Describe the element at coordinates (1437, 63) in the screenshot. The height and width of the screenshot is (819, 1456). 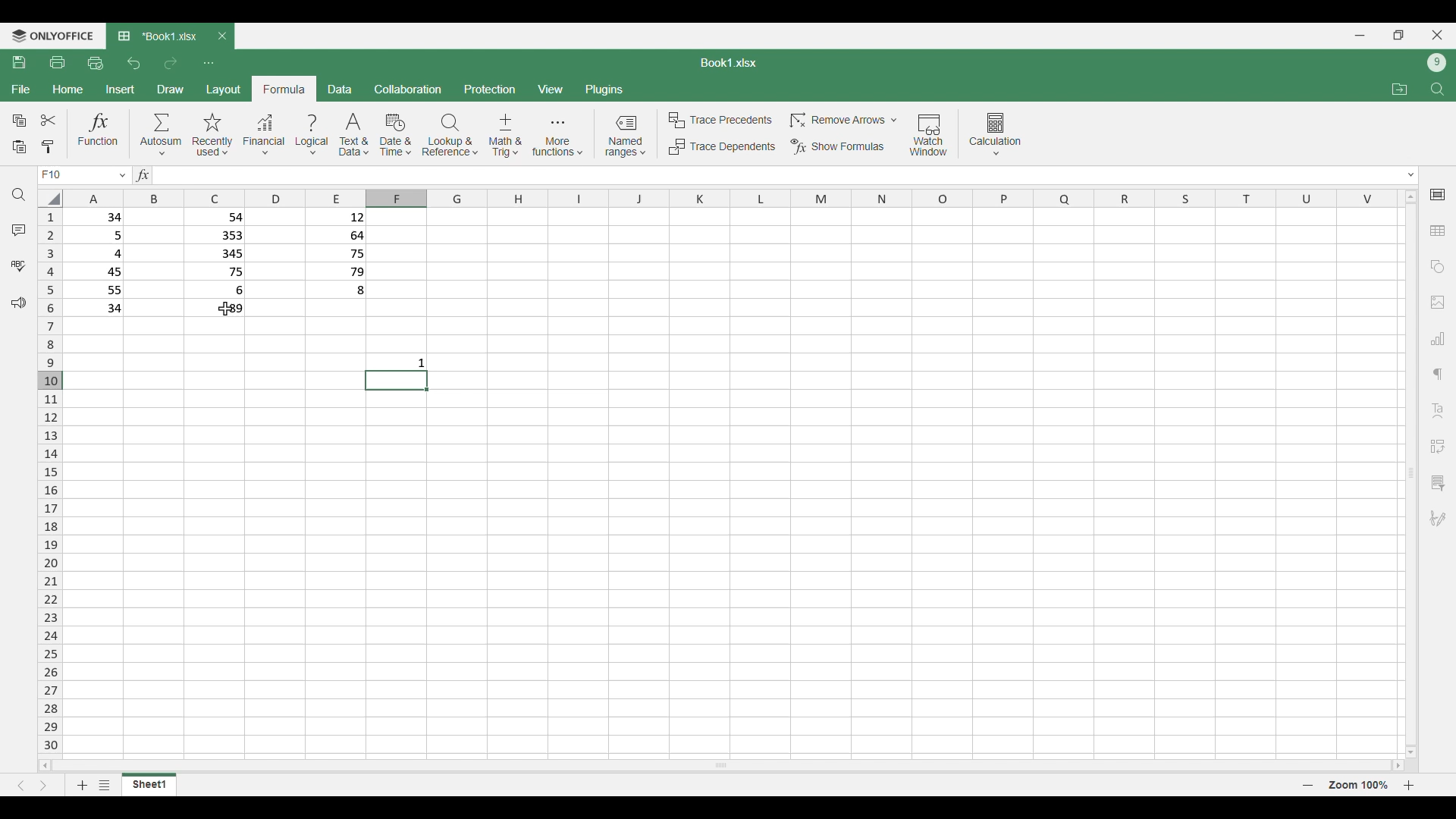
I see `Current account` at that location.